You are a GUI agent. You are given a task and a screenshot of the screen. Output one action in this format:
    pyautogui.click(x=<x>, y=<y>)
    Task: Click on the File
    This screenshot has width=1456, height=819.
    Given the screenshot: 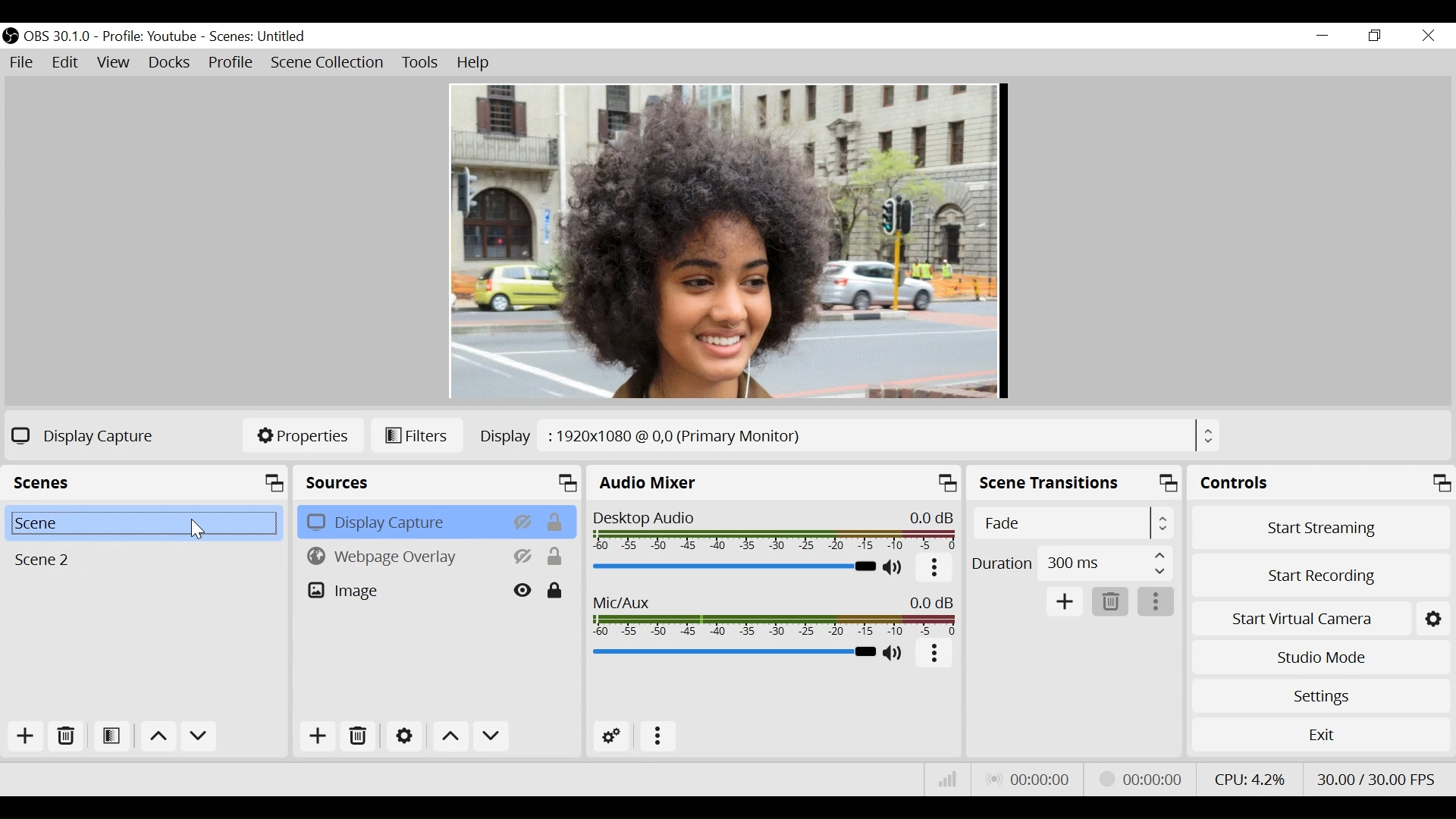 What is the action you would take?
    pyautogui.click(x=24, y=63)
    